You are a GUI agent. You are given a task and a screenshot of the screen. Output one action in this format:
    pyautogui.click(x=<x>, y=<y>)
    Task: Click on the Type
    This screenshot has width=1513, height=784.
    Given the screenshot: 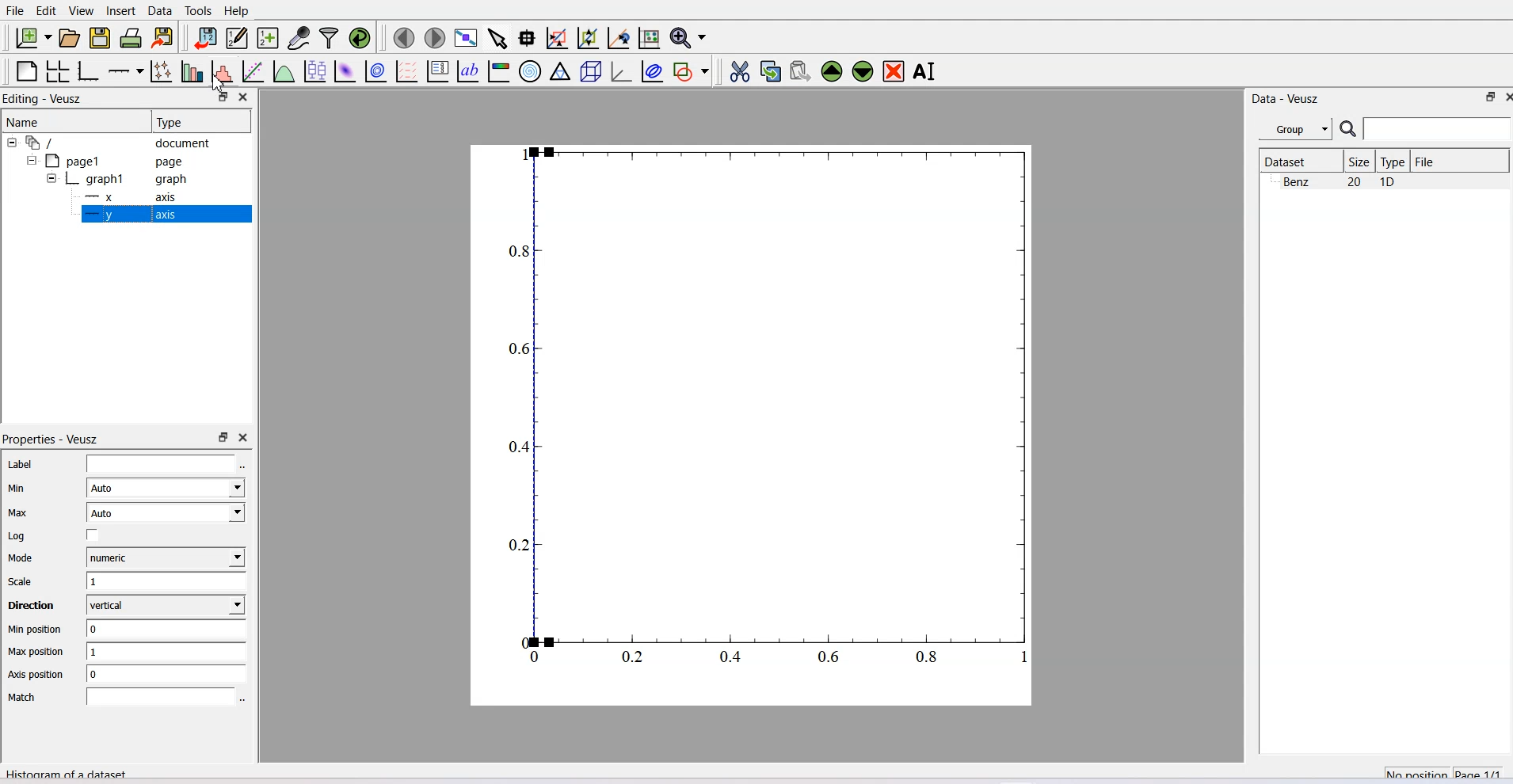 What is the action you would take?
    pyautogui.click(x=200, y=121)
    